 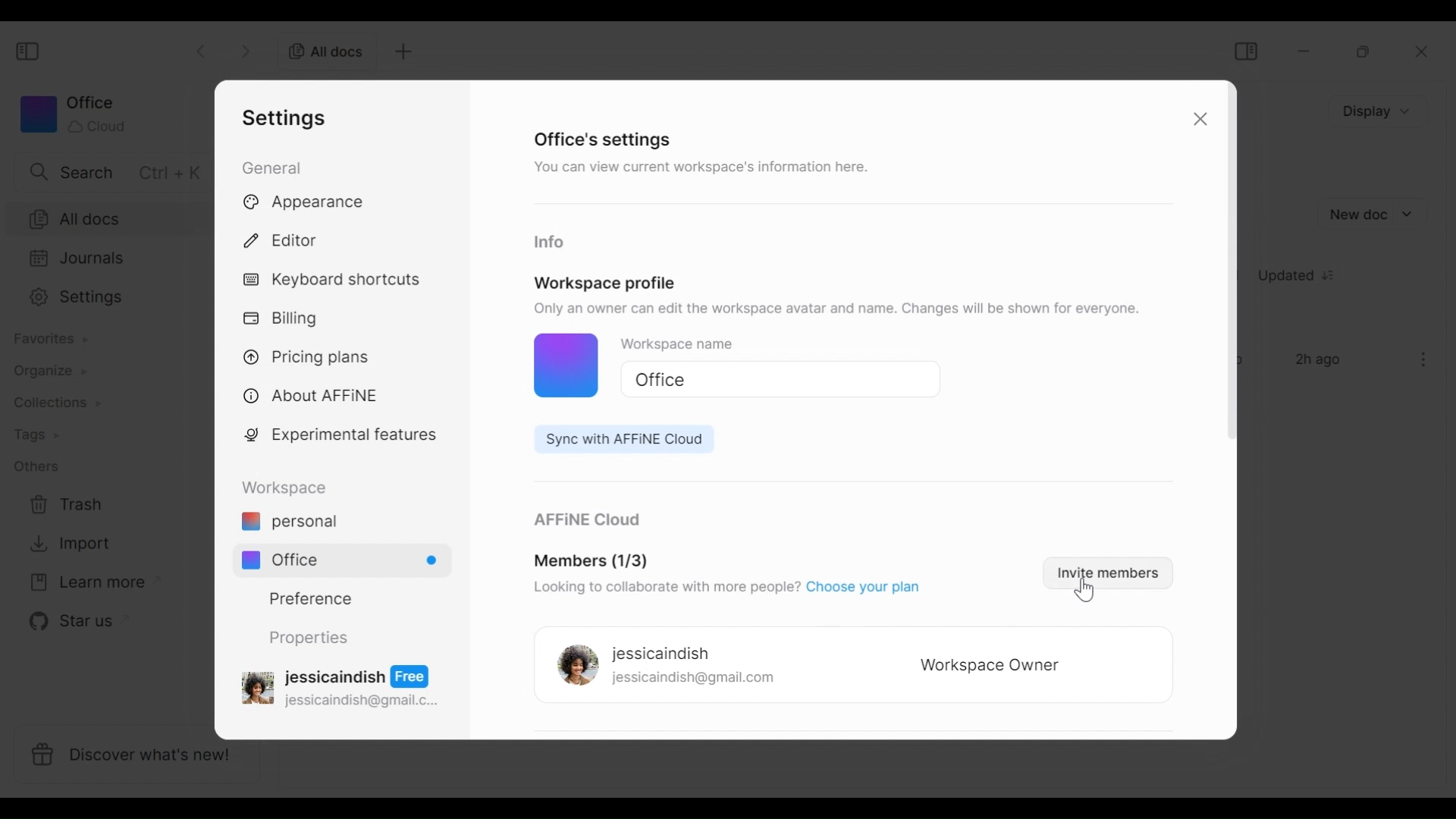 What do you see at coordinates (1245, 51) in the screenshot?
I see `Show/Hide Sidebar` at bounding box center [1245, 51].